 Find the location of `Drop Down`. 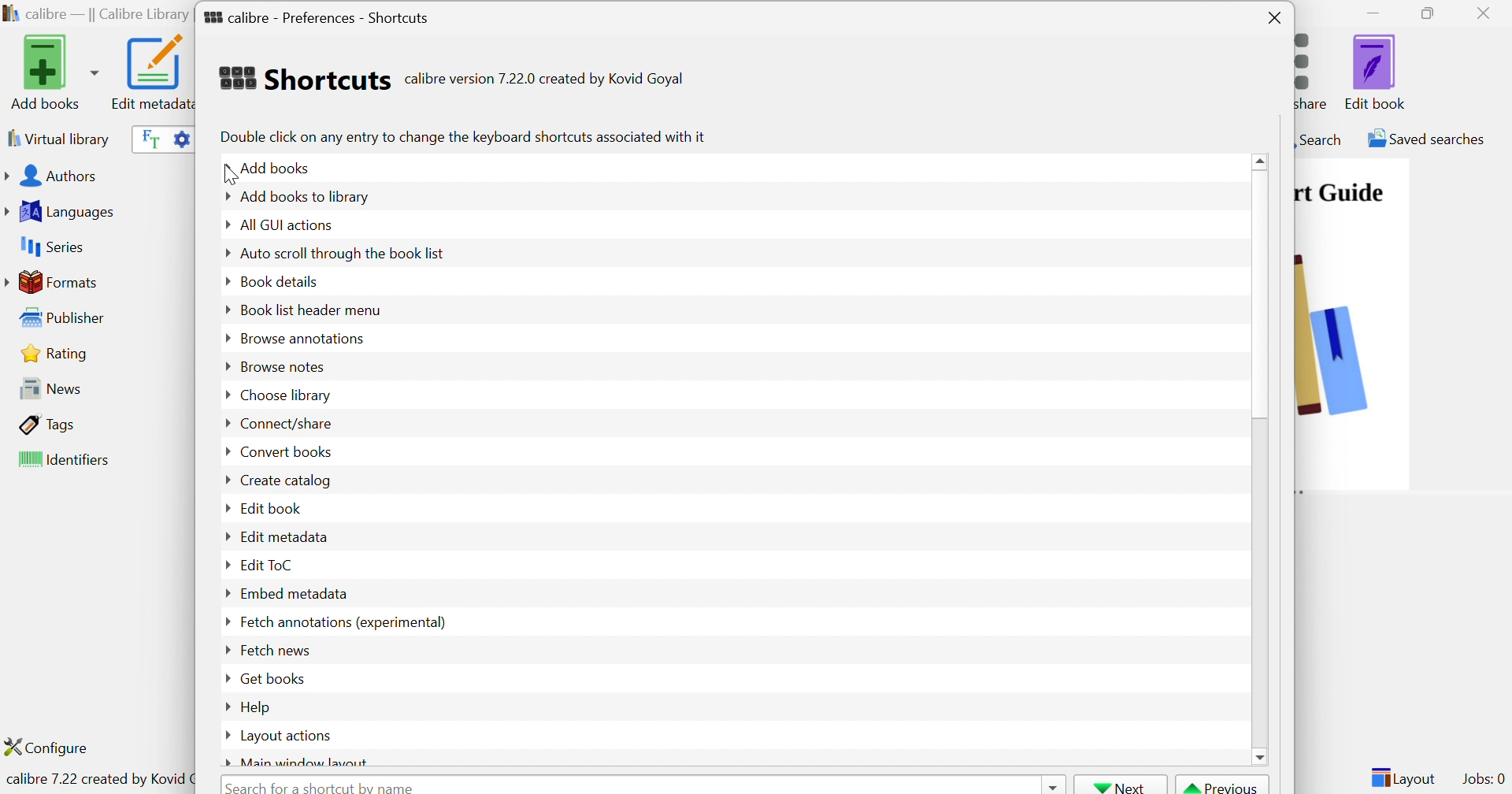

Drop Down is located at coordinates (225, 480).